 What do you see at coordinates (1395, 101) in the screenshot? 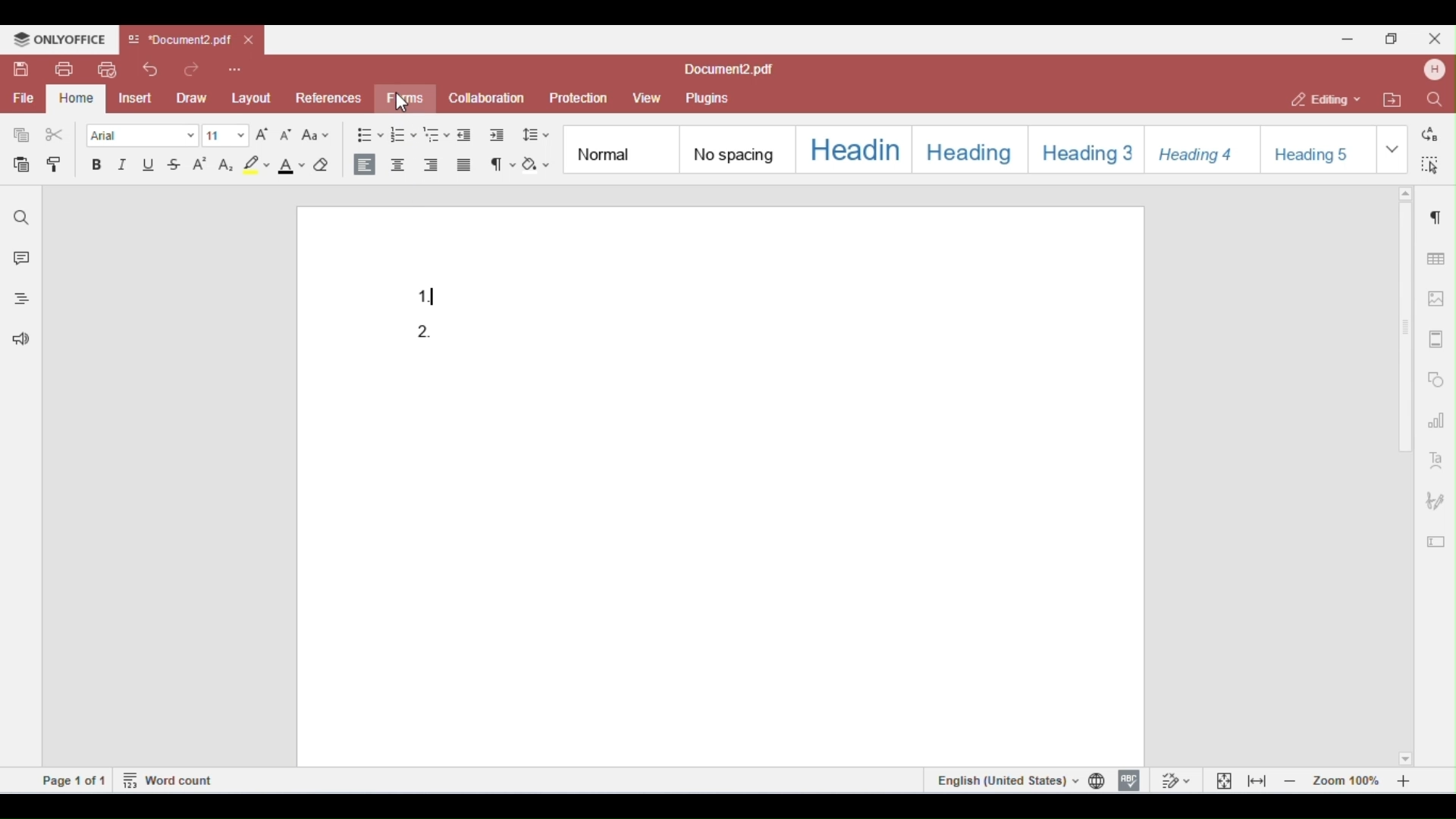
I see `open file location` at bounding box center [1395, 101].